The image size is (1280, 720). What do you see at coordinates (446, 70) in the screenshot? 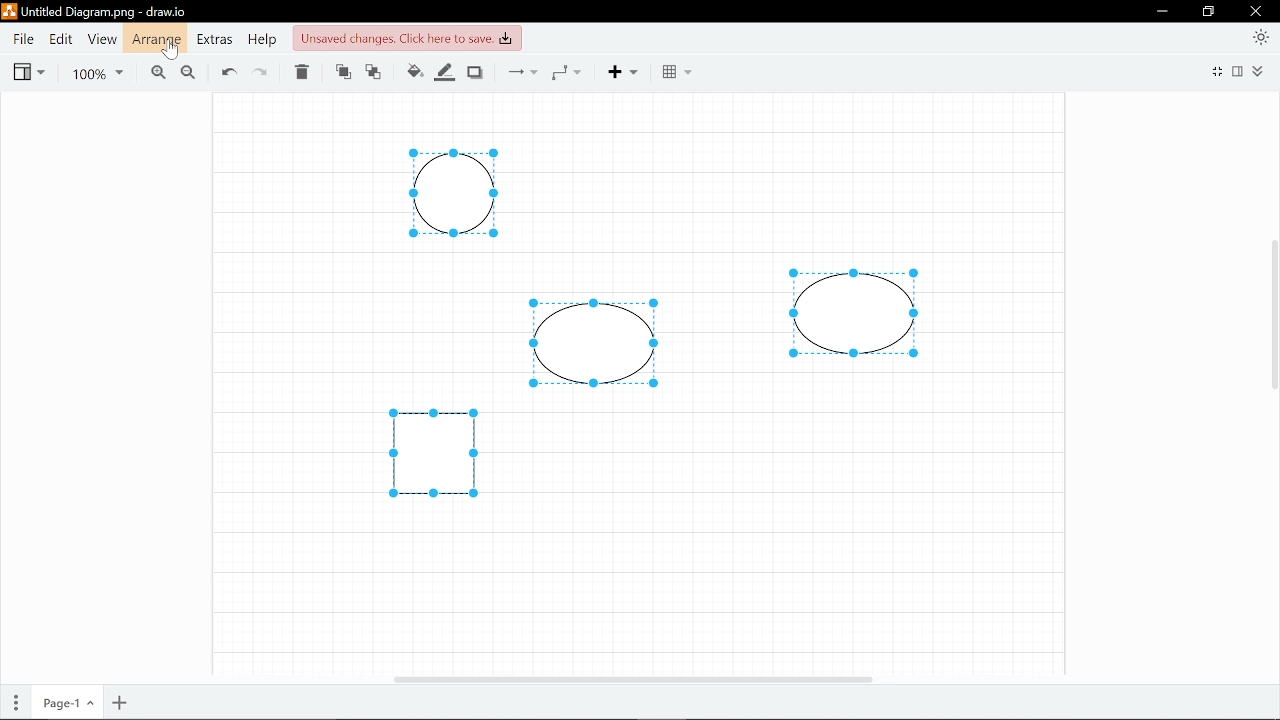
I see `Line color` at bounding box center [446, 70].